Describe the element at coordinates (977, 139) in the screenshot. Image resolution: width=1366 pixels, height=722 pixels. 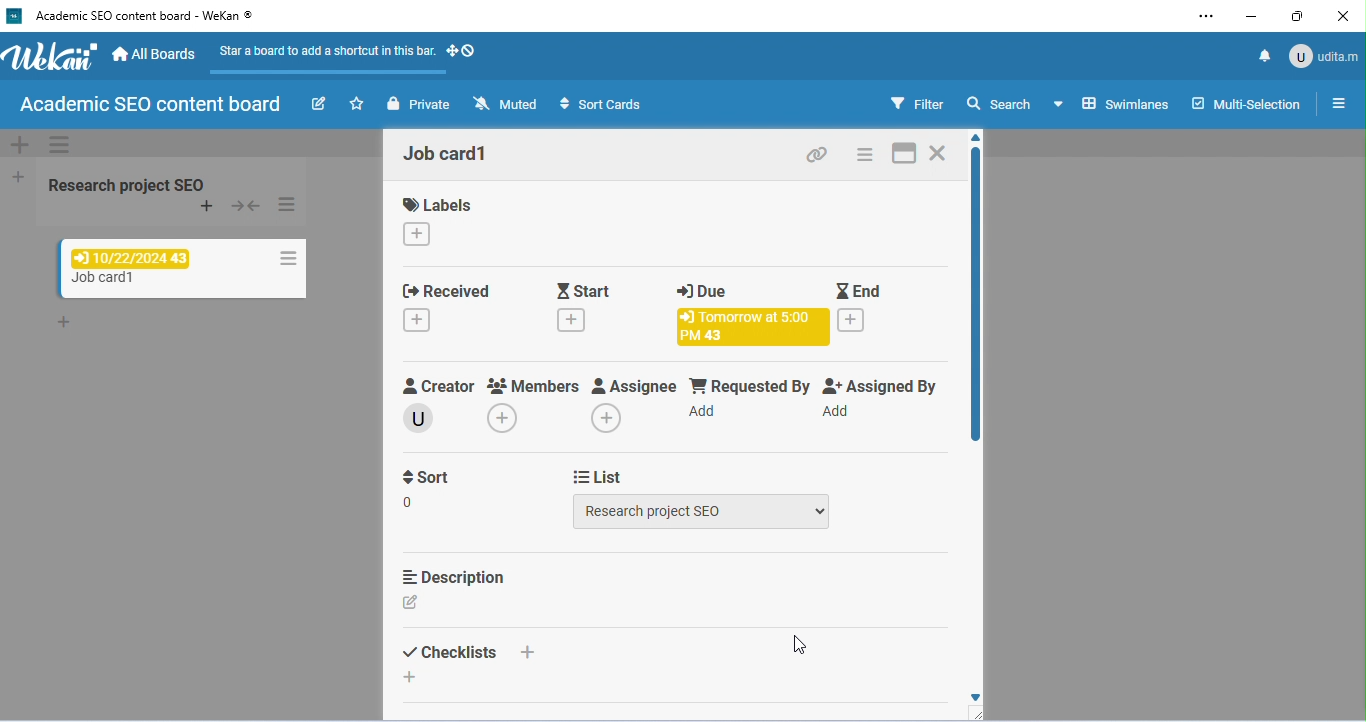
I see `move up` at that location.